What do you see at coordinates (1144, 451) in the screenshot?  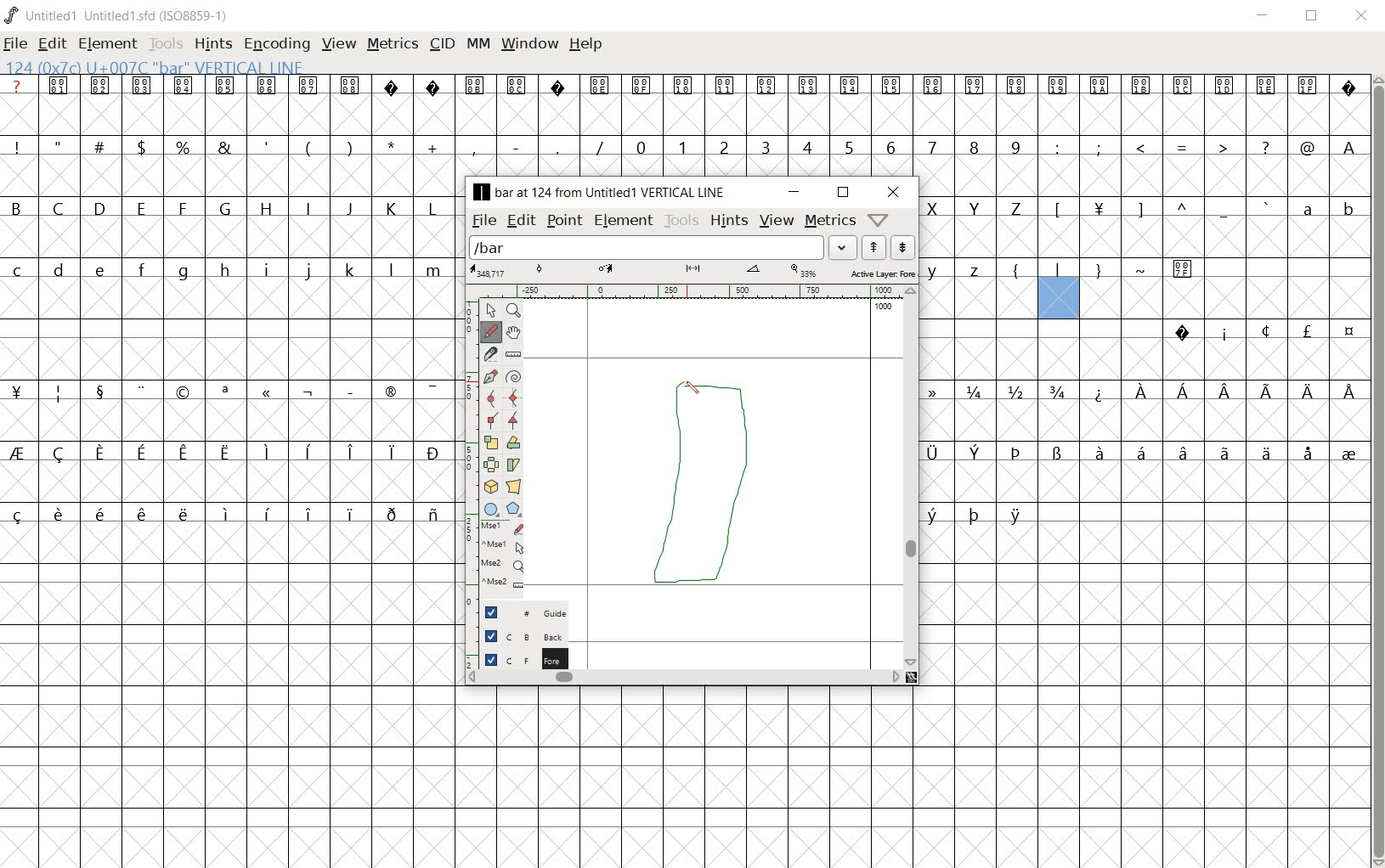 I see `special letters` at bounding box center [1144, 451].